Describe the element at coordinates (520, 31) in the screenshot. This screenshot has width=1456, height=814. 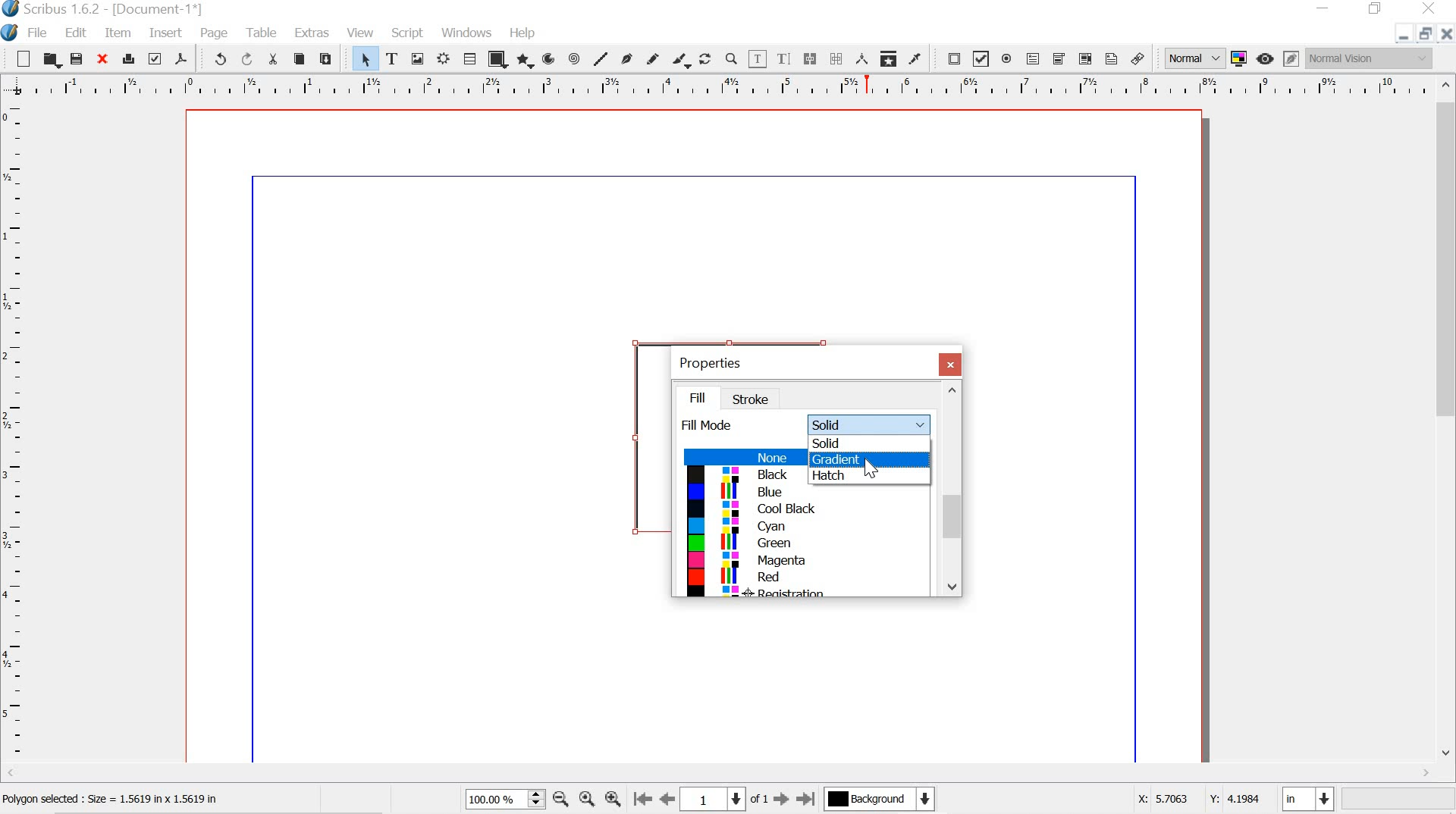
I see `help` at that location.